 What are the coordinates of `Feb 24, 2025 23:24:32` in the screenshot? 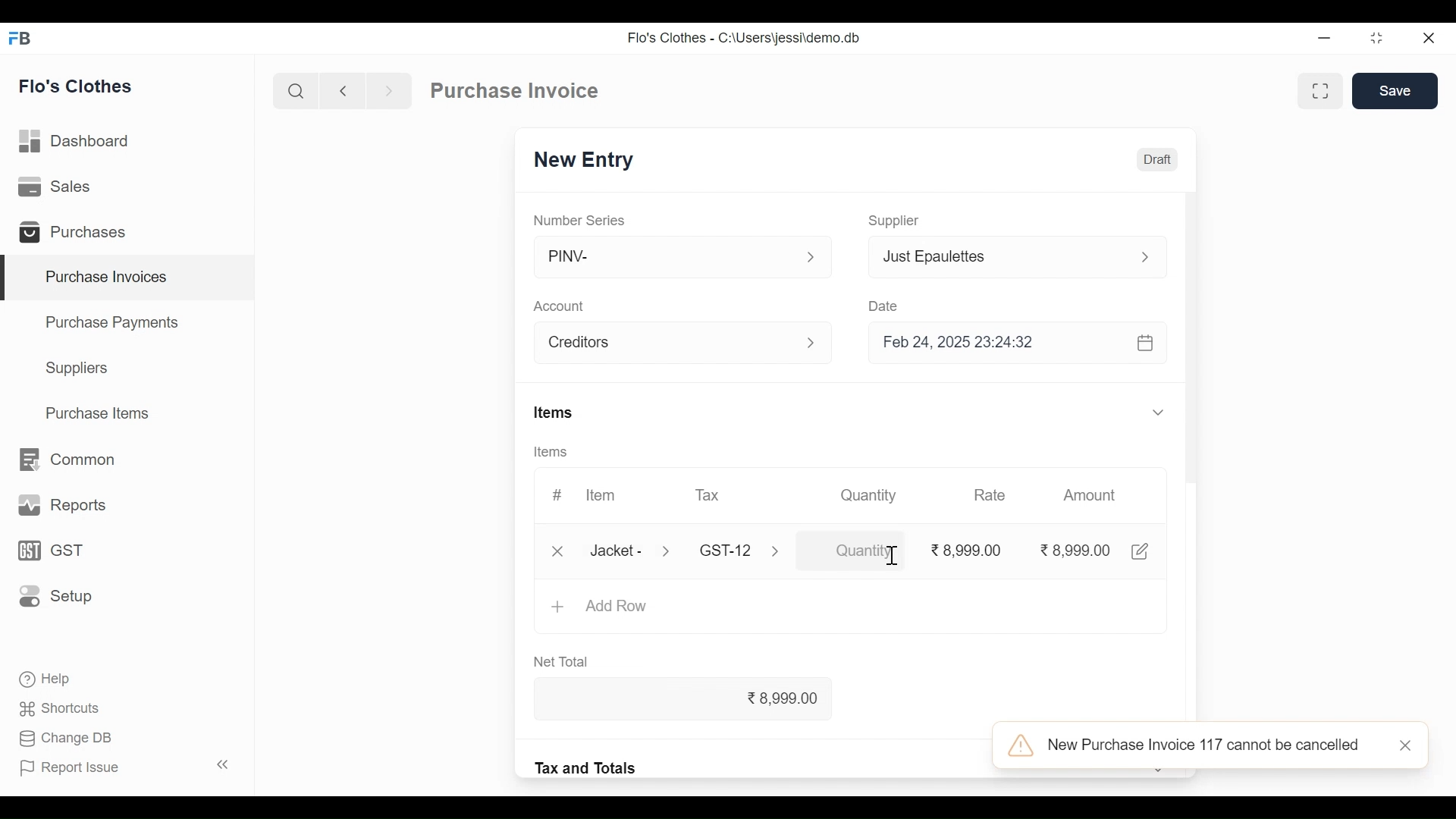 It's located at (1020, 344).